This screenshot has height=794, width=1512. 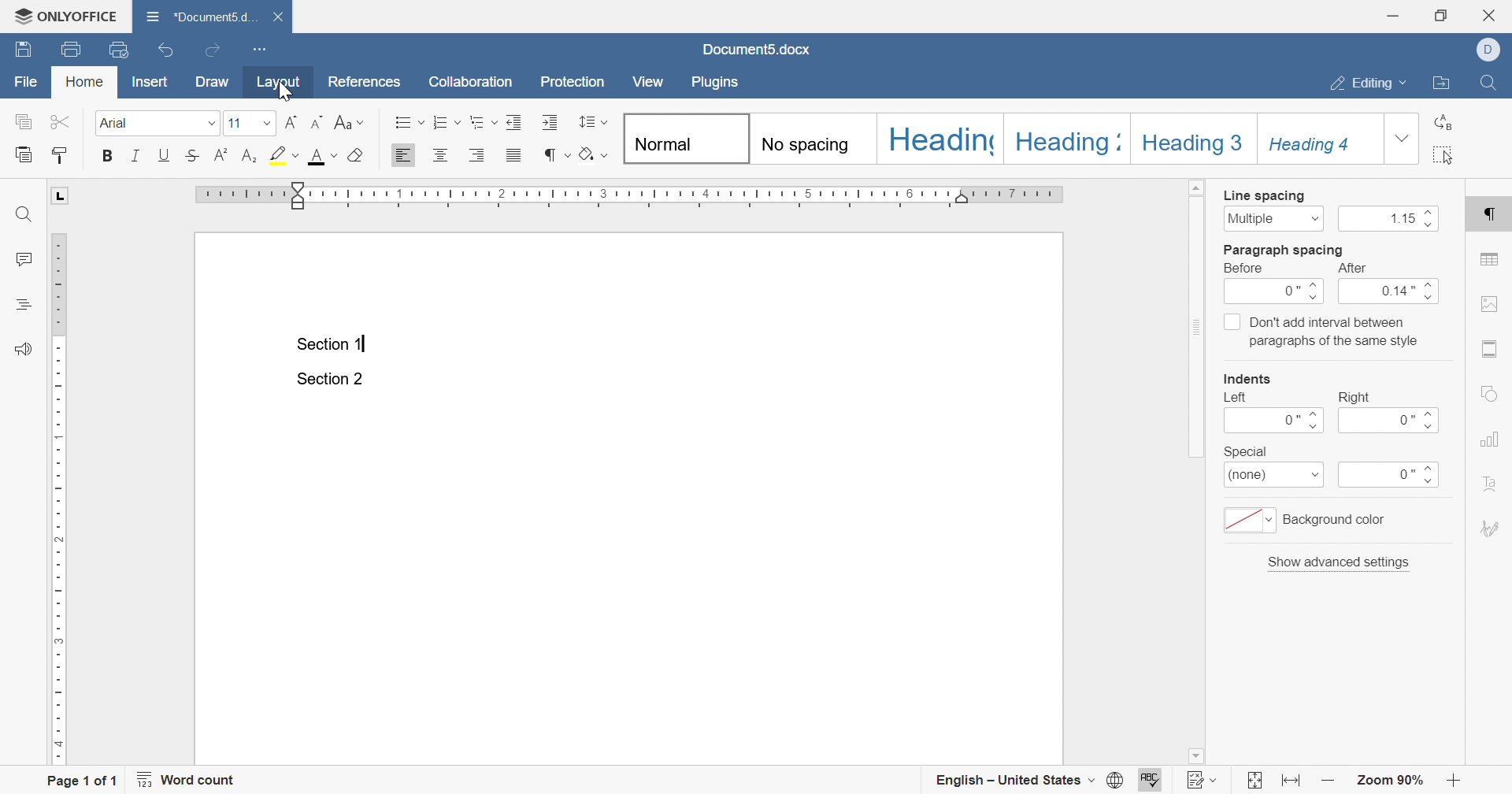 What do you see at coordinates (190, 779) in the screenshot?
I see `word count` at bounding box center [190, 779].